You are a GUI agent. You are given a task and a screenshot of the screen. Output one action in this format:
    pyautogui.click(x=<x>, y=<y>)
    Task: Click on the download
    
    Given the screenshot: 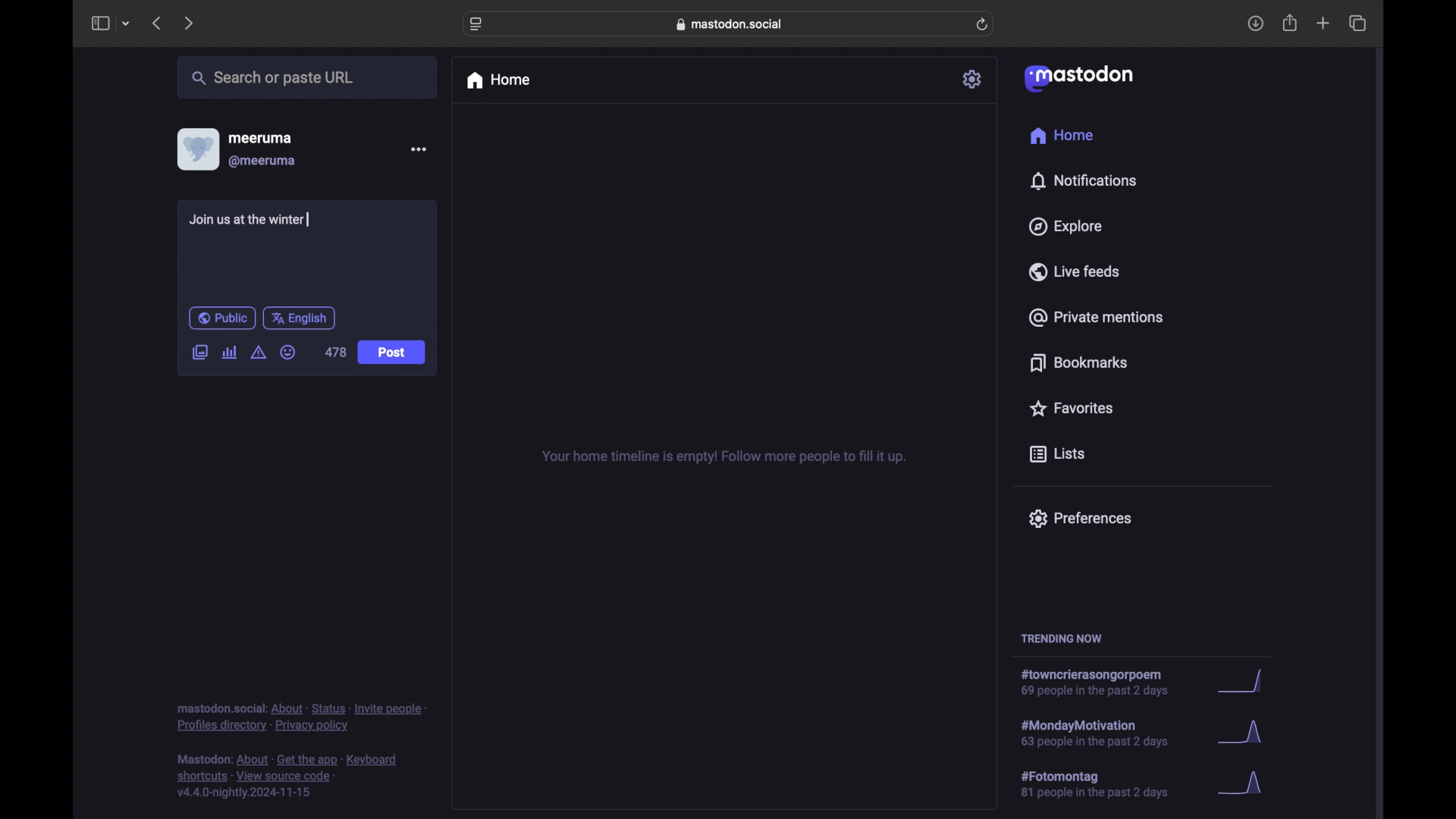 What is the action you would take?
    pyautogui.click(x=1256, y=24)
    